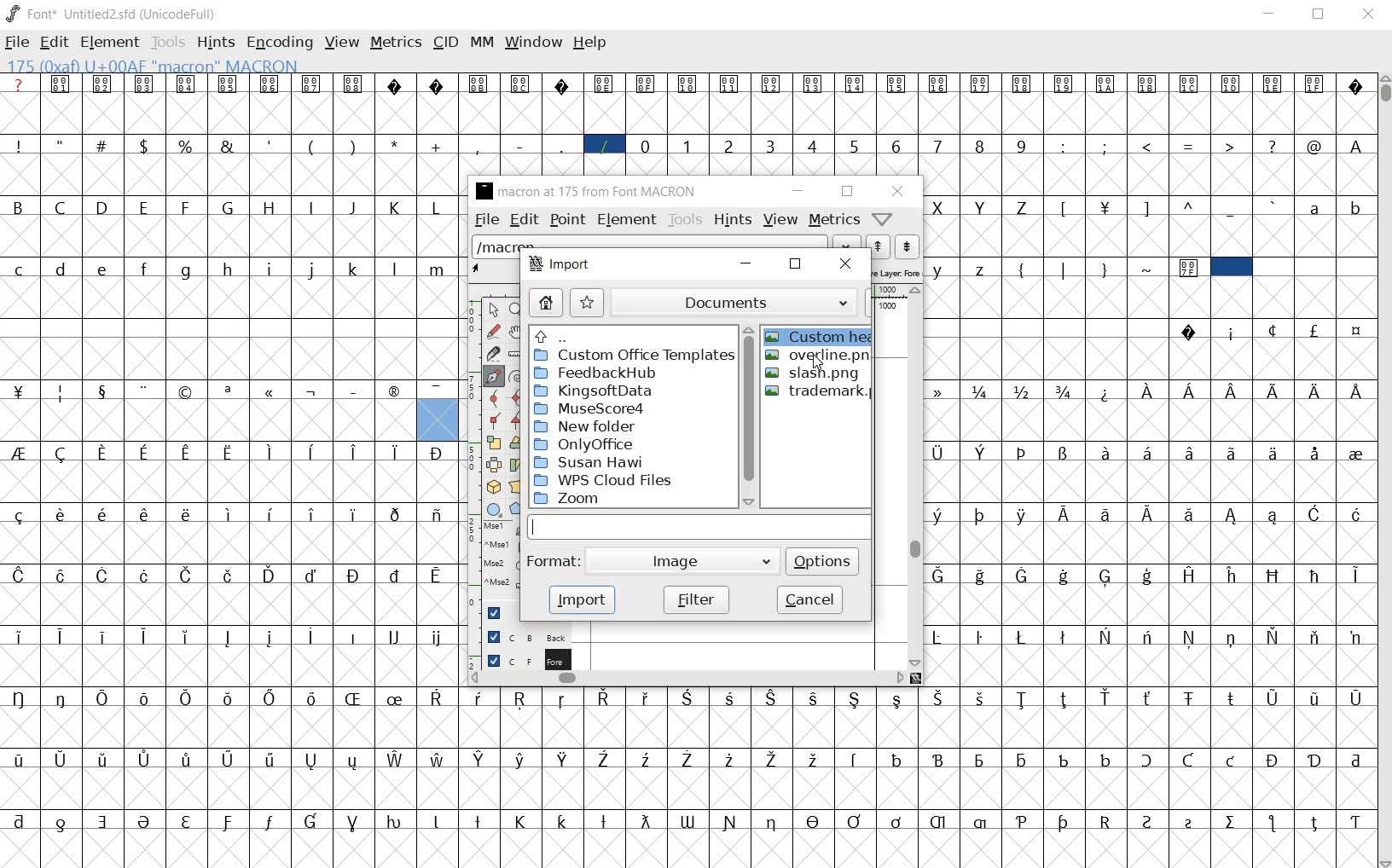  Describe the element at coordinates (938, 145) in the screenshot. I see `7` at that location.